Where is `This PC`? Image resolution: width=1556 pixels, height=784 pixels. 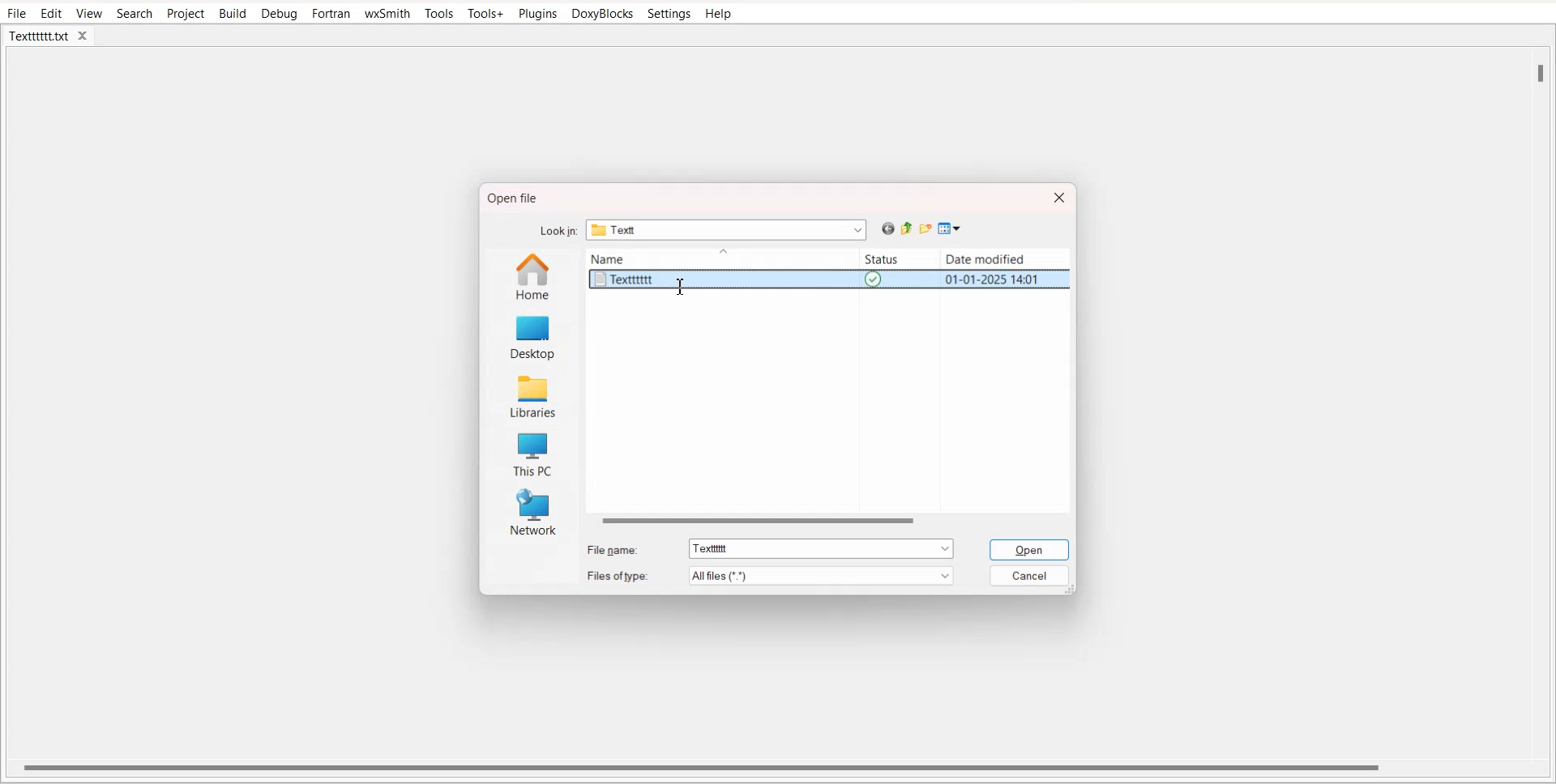 This PC is located at coordinates (532, 453).